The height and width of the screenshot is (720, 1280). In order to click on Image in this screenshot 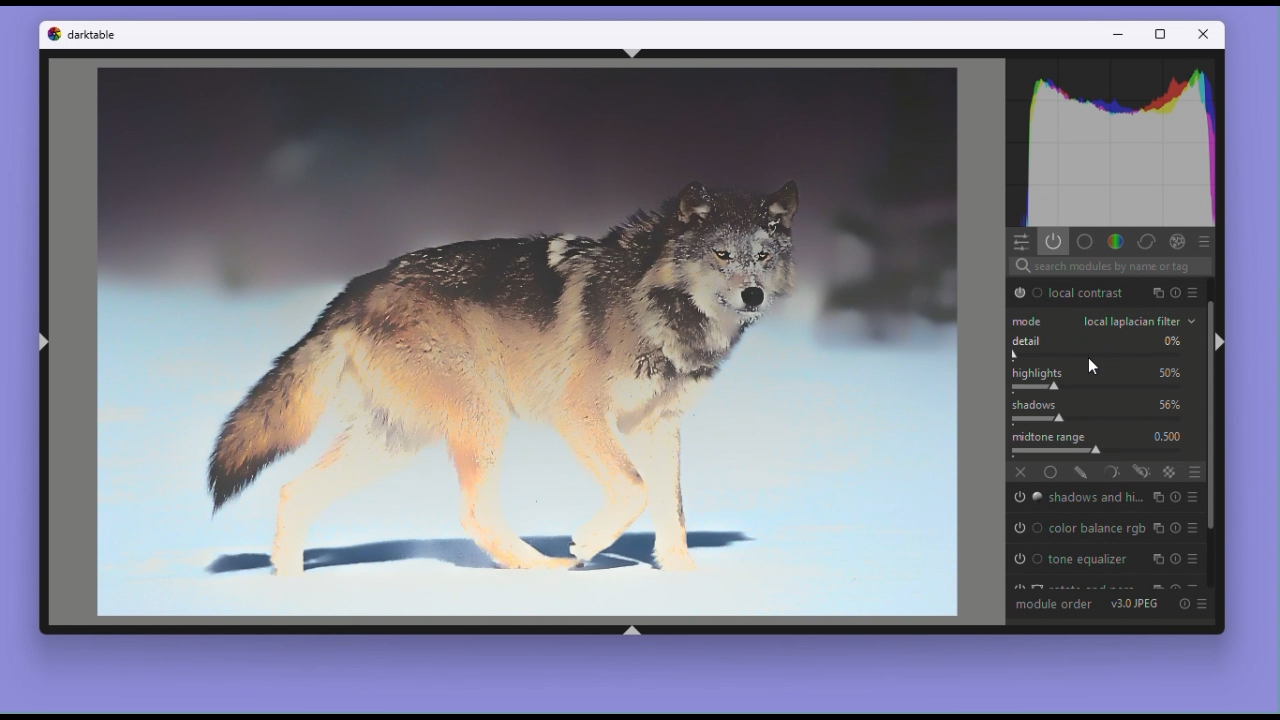, I will do `click(528, 341)`.